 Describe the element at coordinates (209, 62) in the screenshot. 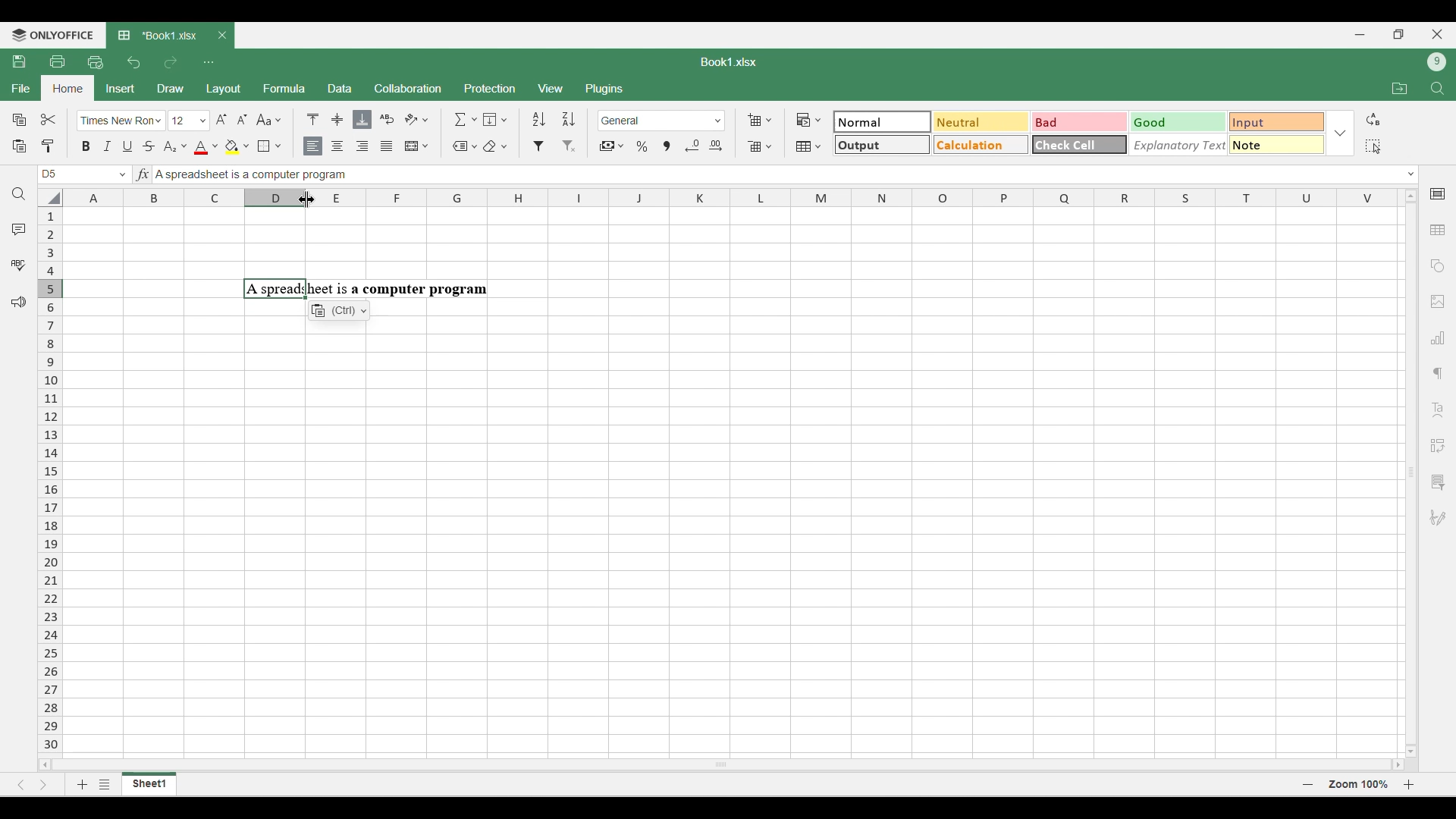

I see `Customize quick access toolbar` at that location.